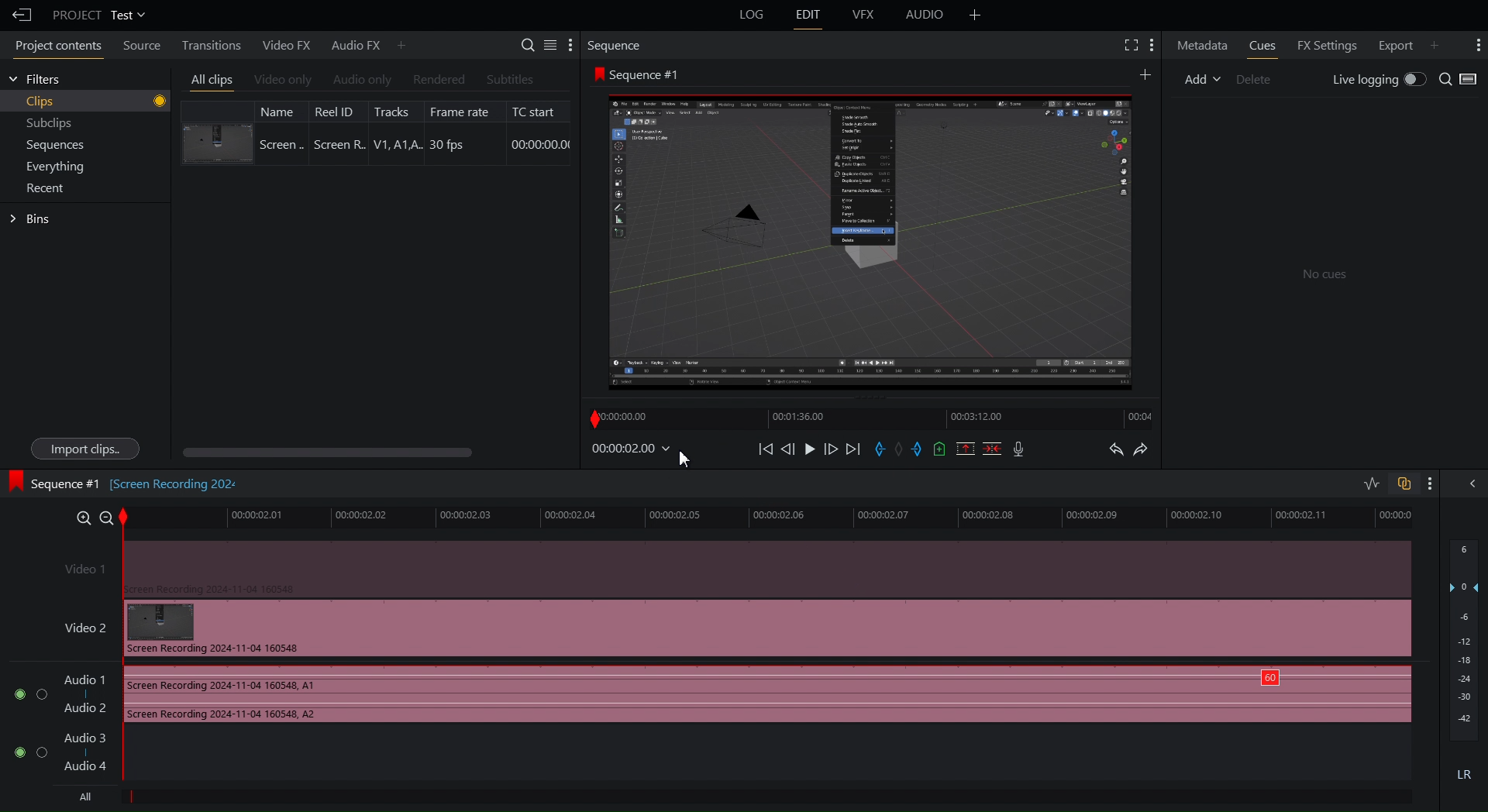  What do you see at coordinates (686, 459) in the screenshot?
I see `Cursor` at bounding box center [686, 459].